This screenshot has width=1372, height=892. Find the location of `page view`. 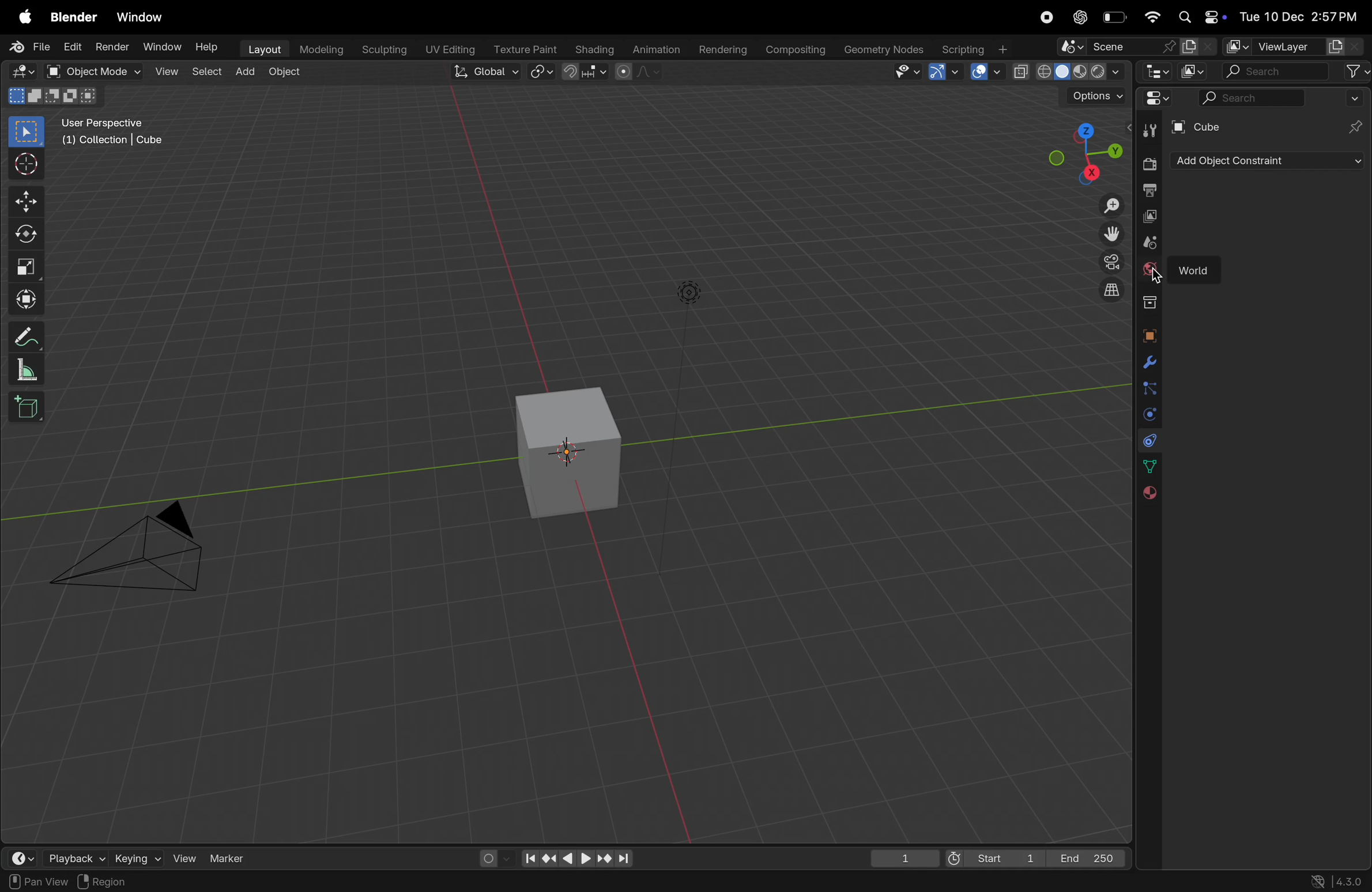

page view is located at coordinates (35, 880).